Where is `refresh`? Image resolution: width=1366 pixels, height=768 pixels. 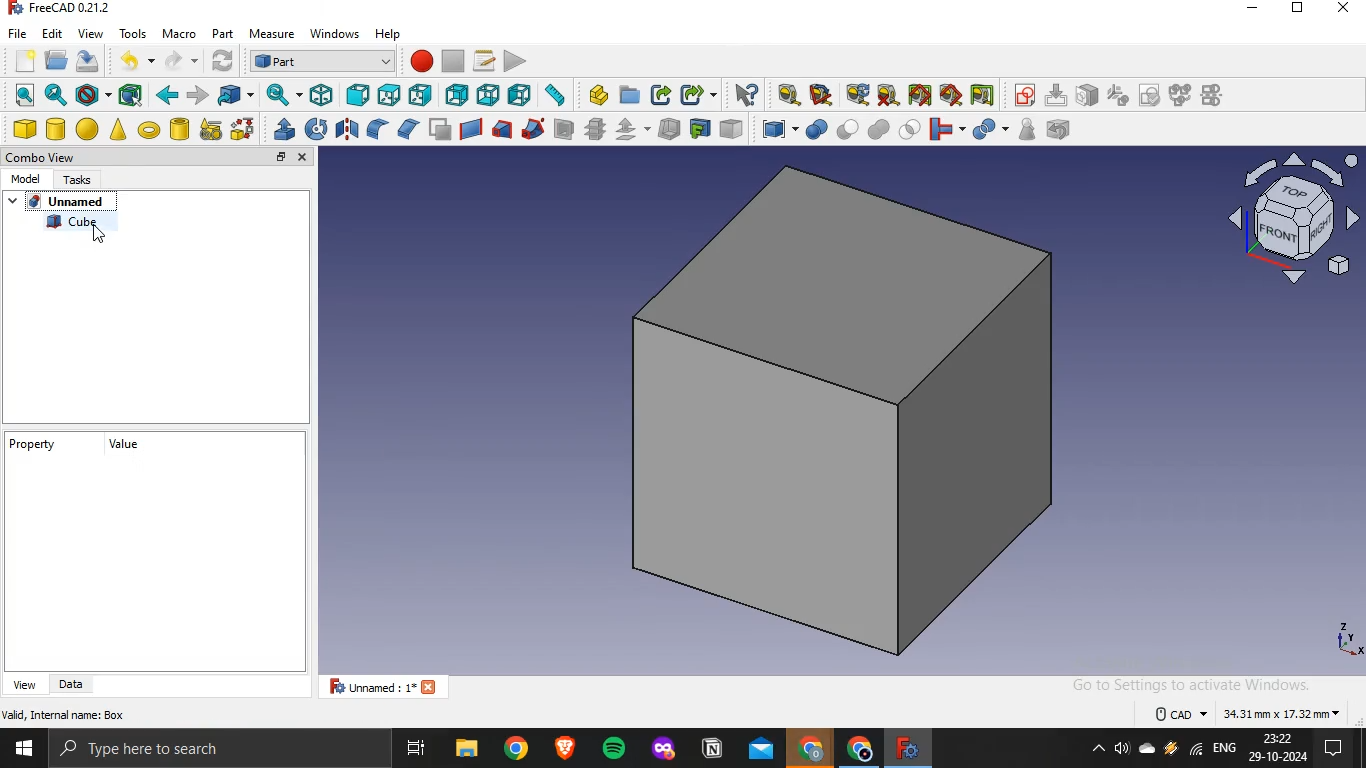 refresh is located at coordinates (220, 61).